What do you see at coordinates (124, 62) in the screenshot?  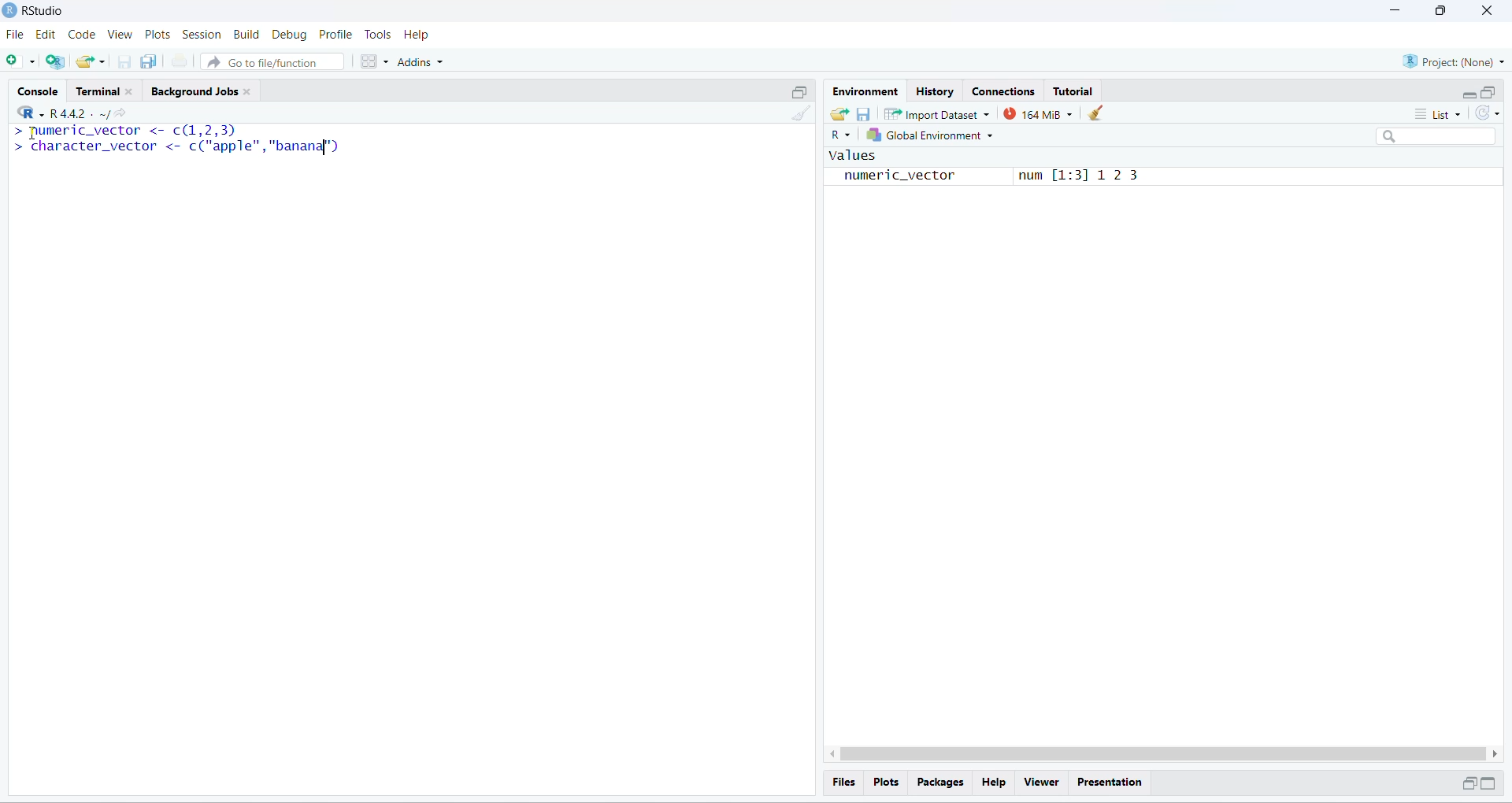 I see `save current document` at bounding box center [124, 62].